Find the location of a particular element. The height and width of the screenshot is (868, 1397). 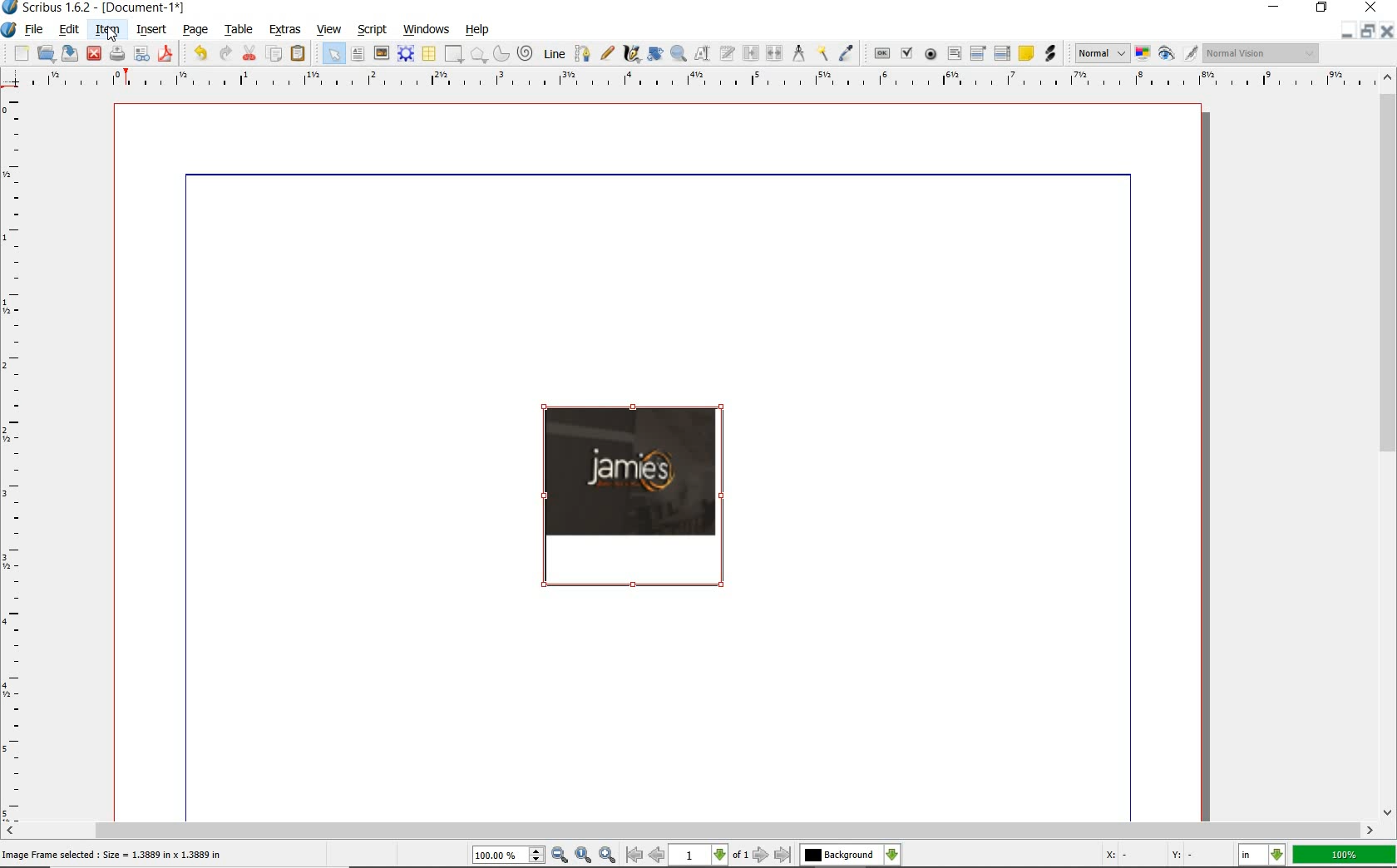

close is located at coordinates (94, 53).